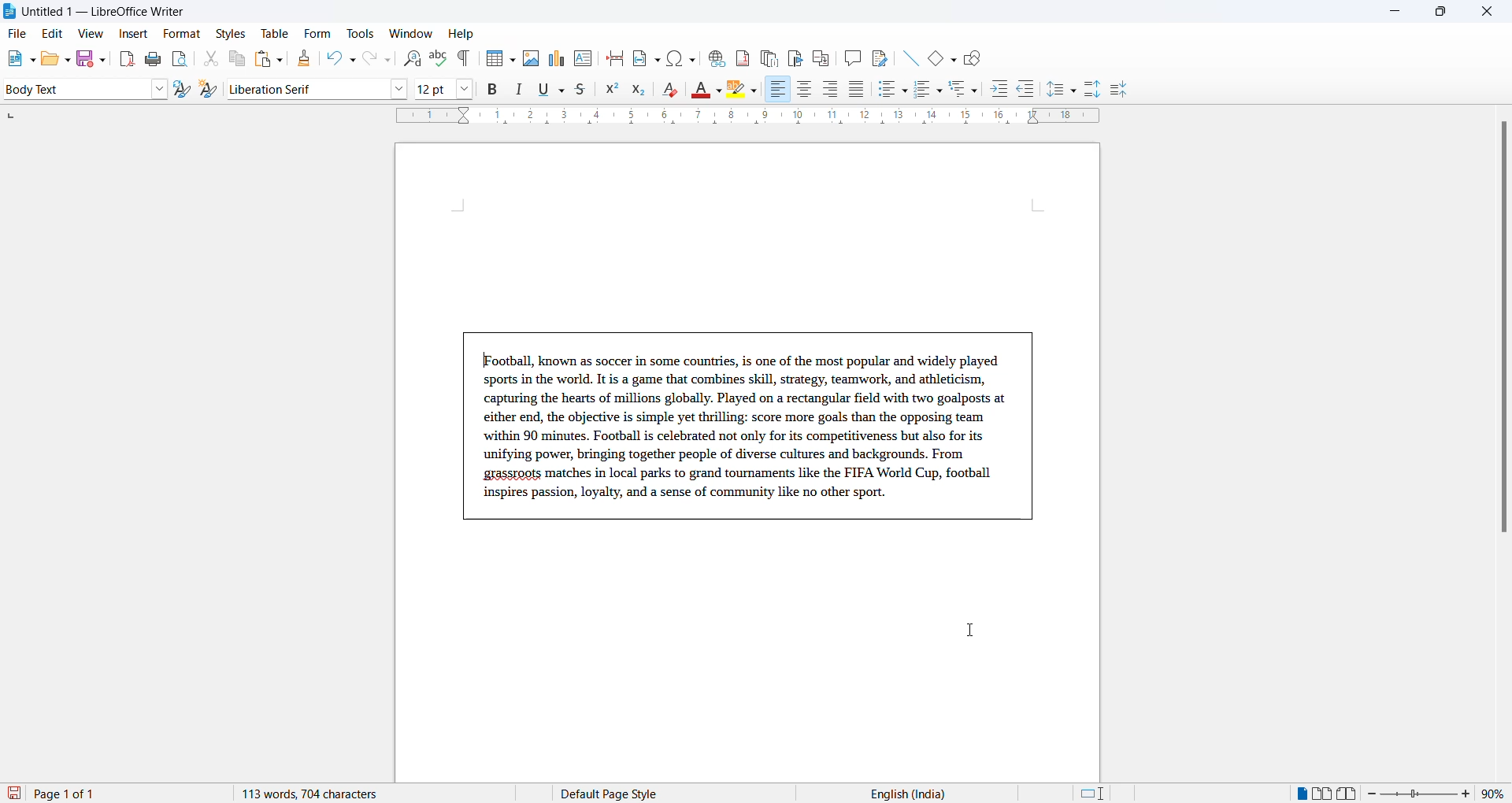 The width and height of the screenshot is (1512, 803). What do you see at coordinates (929, 90) in the screenshot?
I see `toggle ordered list` at bounding box center [929, 90].